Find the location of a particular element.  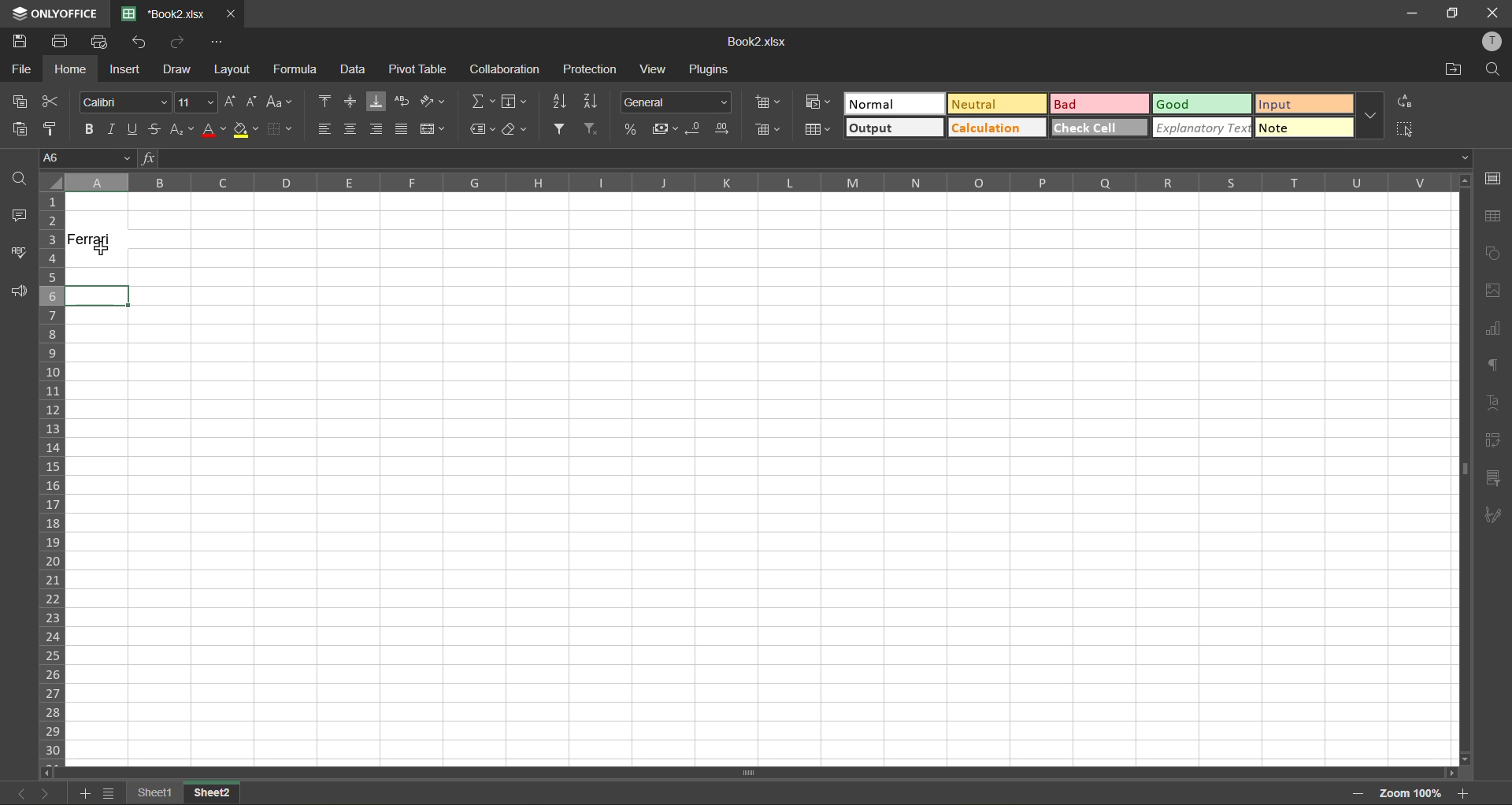

row numbers is located at coordinates (52, 476).